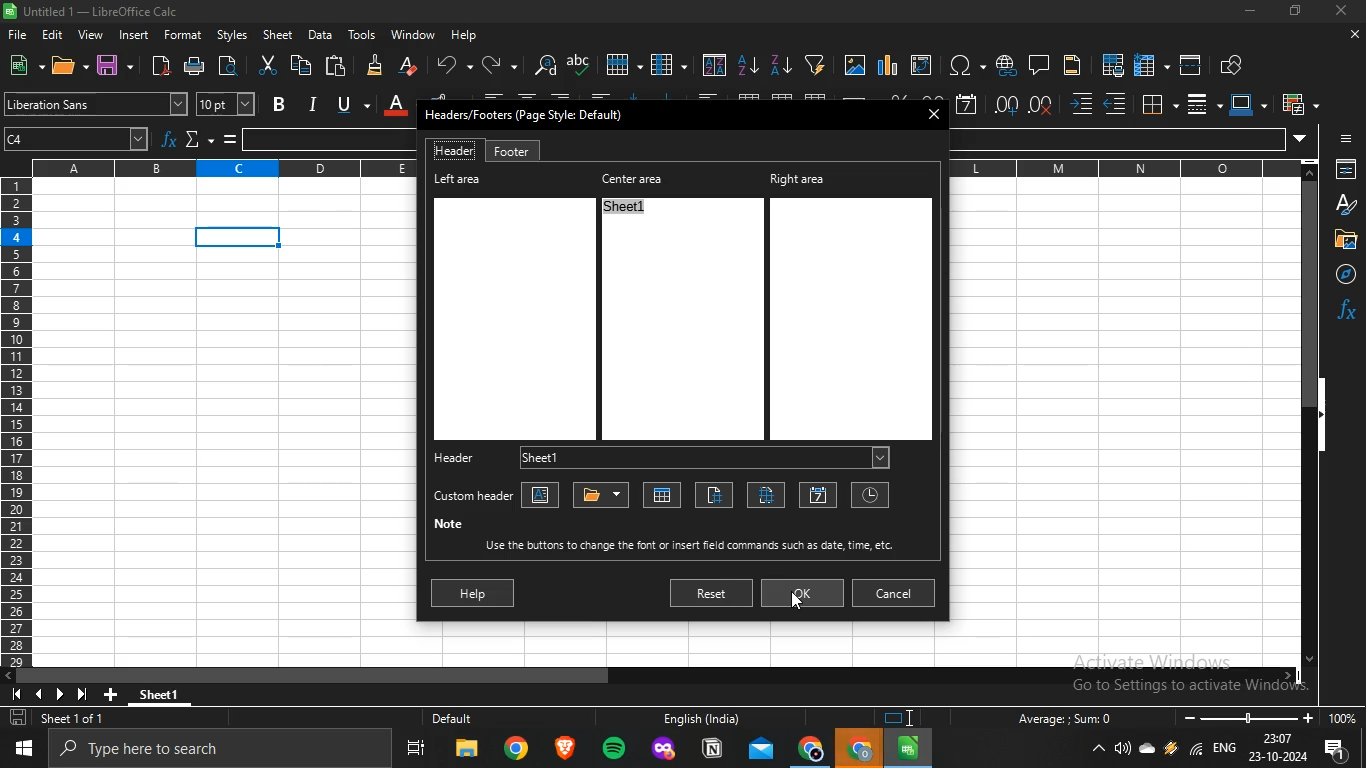 The height and width of the screenshot is (768, 1366). I want to click on icon, so click(55, 693).